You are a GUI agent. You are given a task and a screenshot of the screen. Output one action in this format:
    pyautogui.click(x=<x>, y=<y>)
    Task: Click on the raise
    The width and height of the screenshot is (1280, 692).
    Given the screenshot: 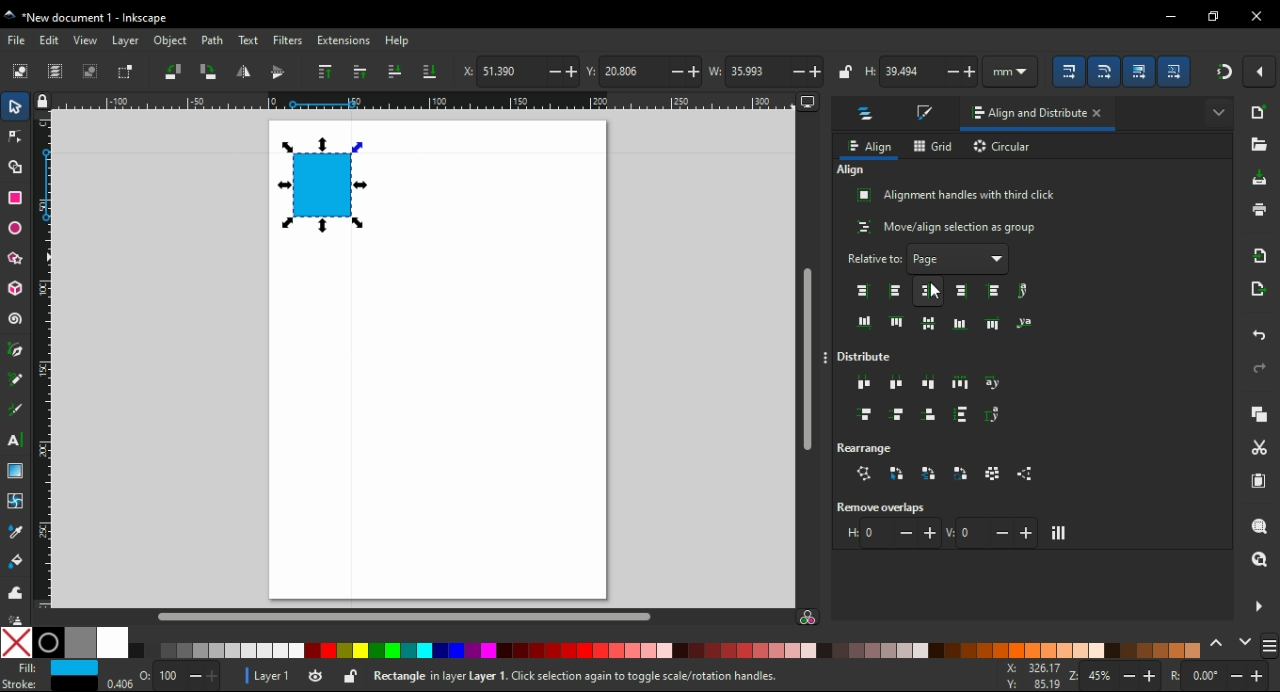 What is the action you would take?
    pyautogui.click(x=361, y=72)
    